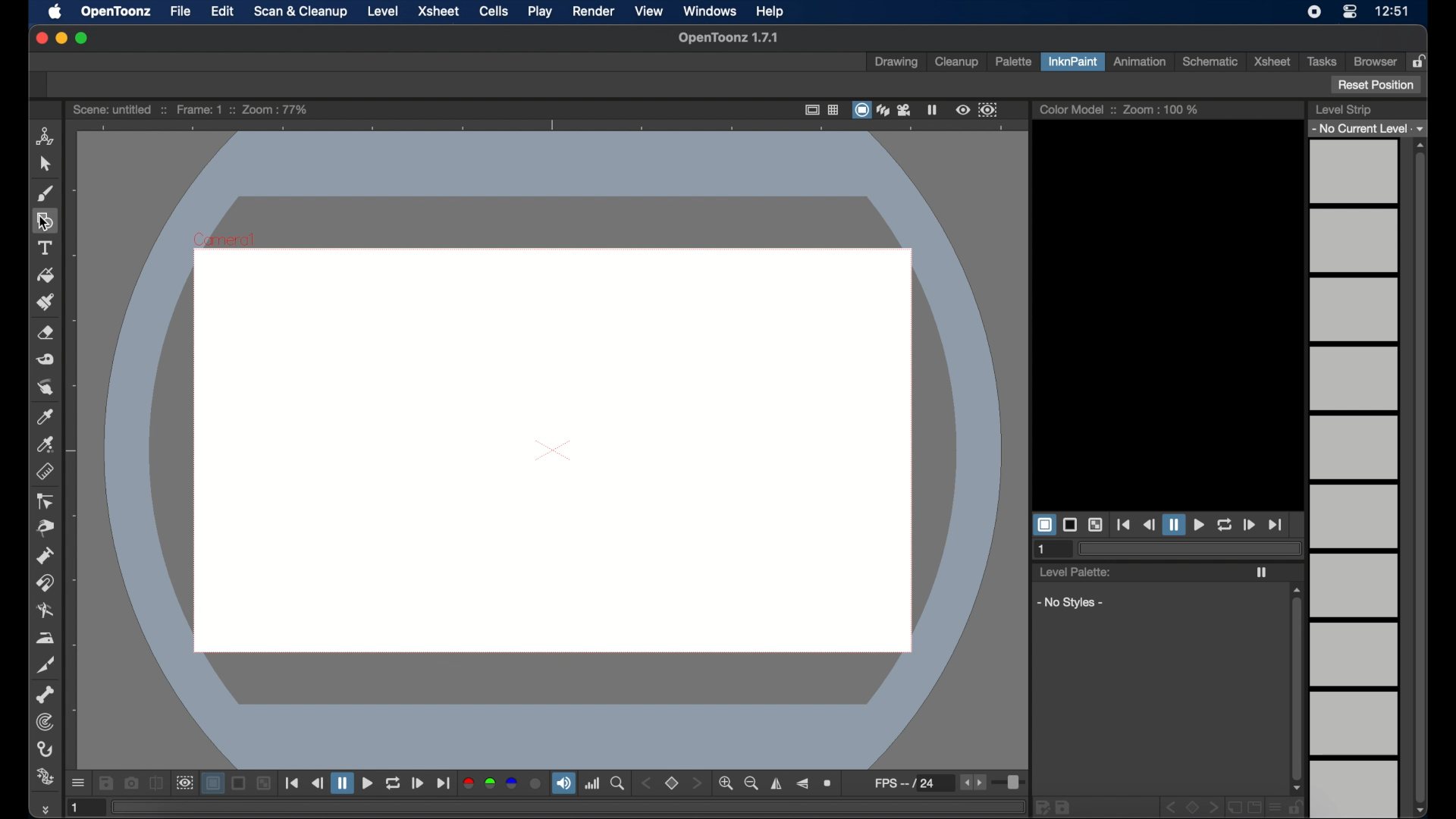 The image size is (1456, 819). What do you see at coordinates (45, 501) in the screenshot?
I see `ontrol point editor tool` at bounding box center [45, 501].